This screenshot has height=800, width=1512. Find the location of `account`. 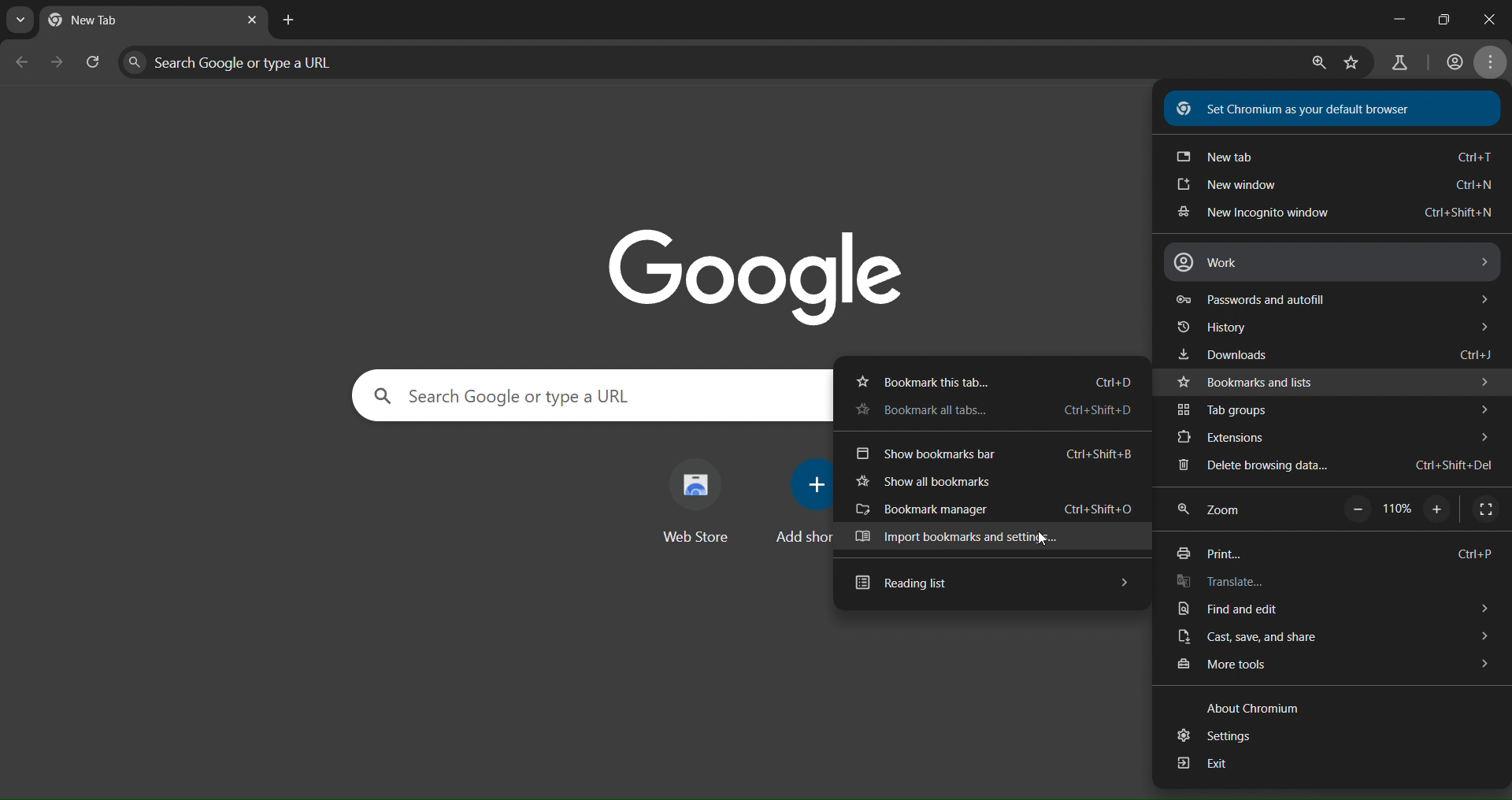

account is located at coordinates (1455, 61).